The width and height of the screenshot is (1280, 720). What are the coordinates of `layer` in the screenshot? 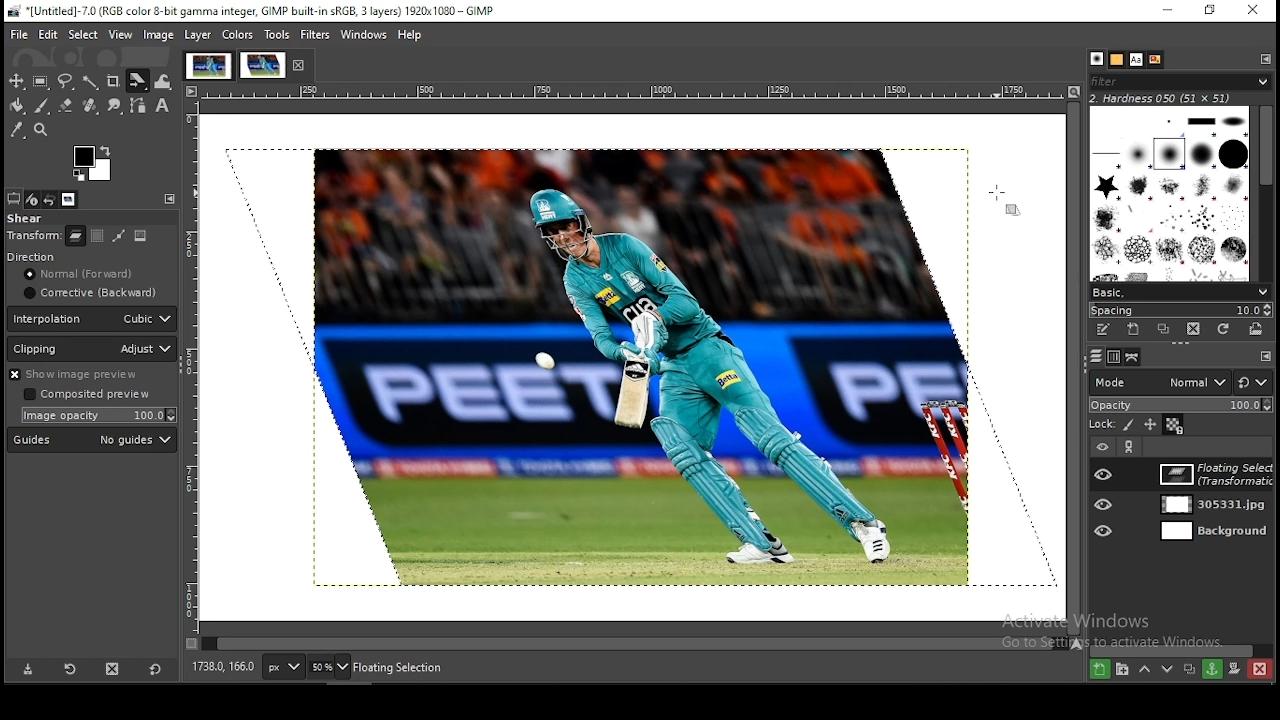 It's located at (197, 35).